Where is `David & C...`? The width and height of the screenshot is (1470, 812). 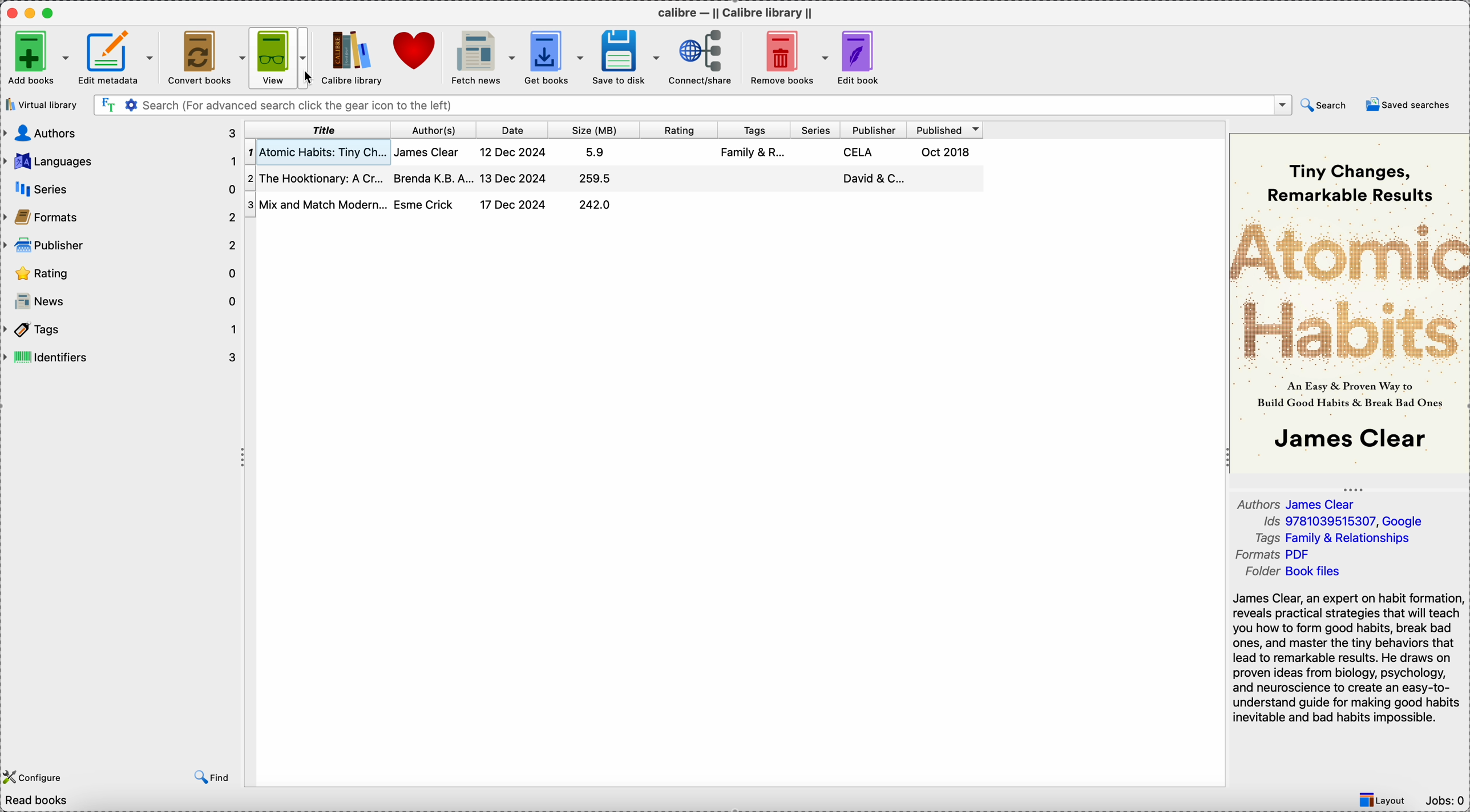 David & C... is located at coordinates (873, 178).